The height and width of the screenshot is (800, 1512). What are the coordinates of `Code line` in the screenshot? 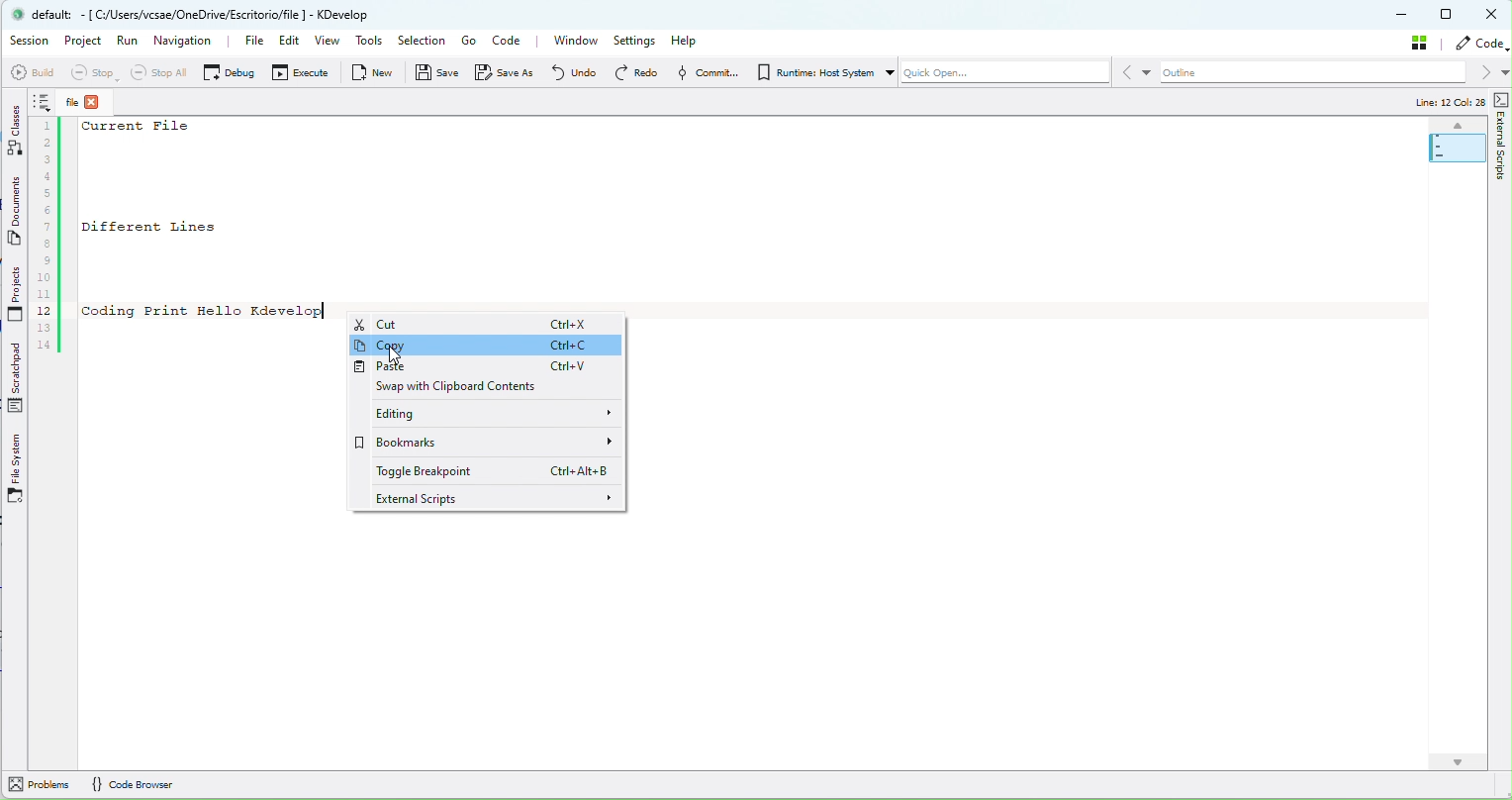 It's located at (47, 223).